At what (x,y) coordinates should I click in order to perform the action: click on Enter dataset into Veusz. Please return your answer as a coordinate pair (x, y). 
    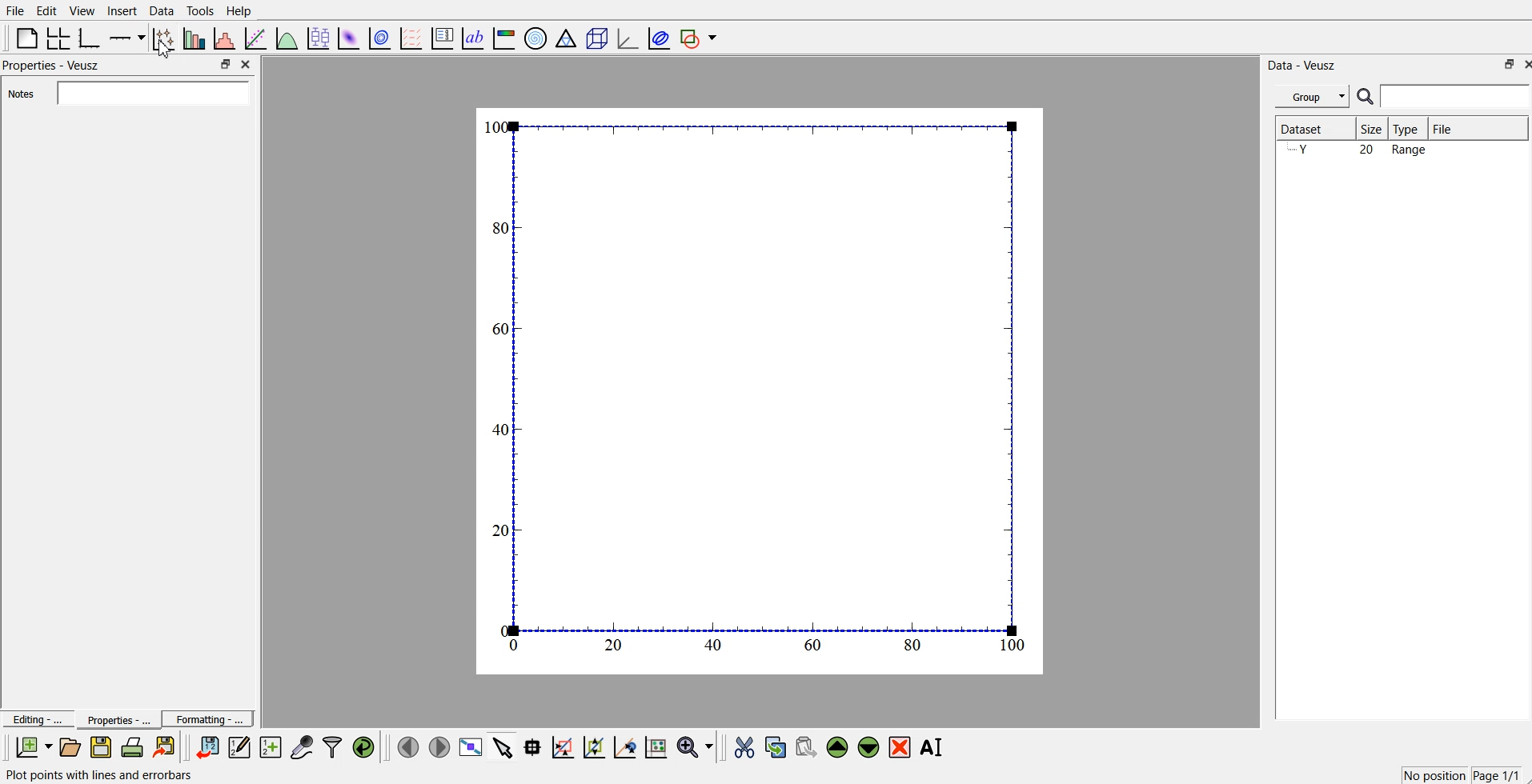
    Looking at the image, I should click on (206, 747).